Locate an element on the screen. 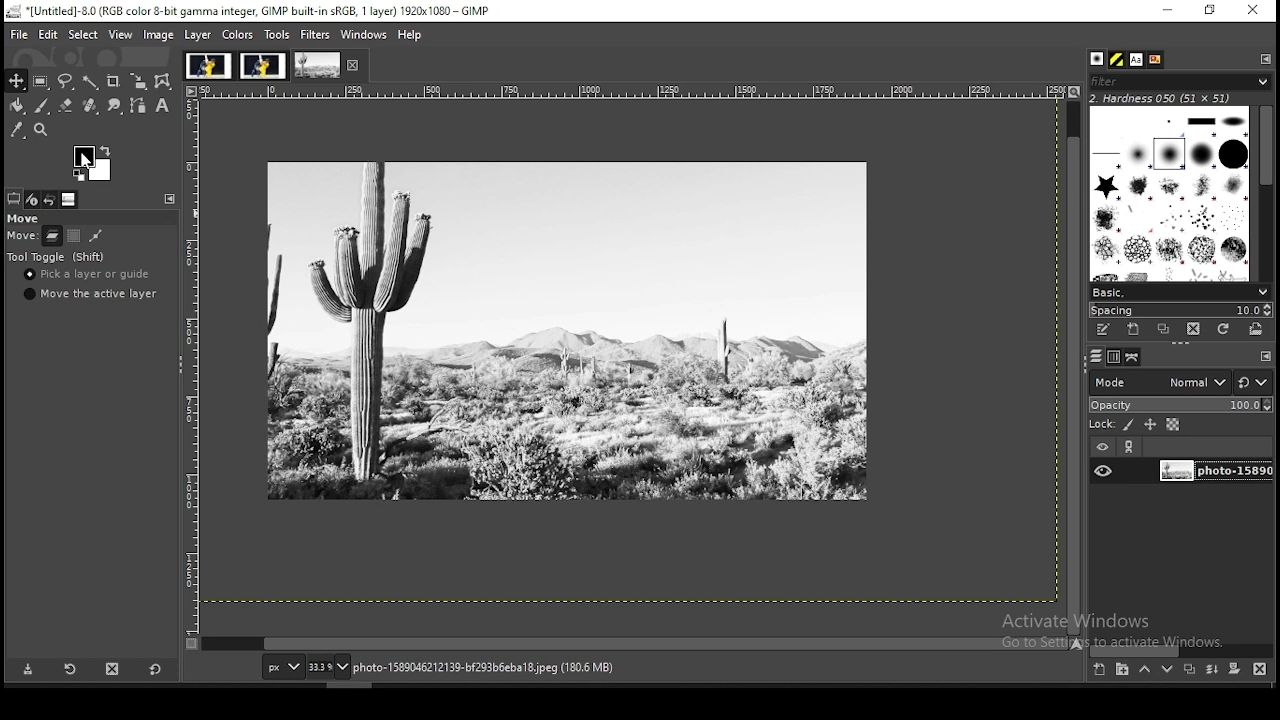  channels is located at coordinates (1116, 357).